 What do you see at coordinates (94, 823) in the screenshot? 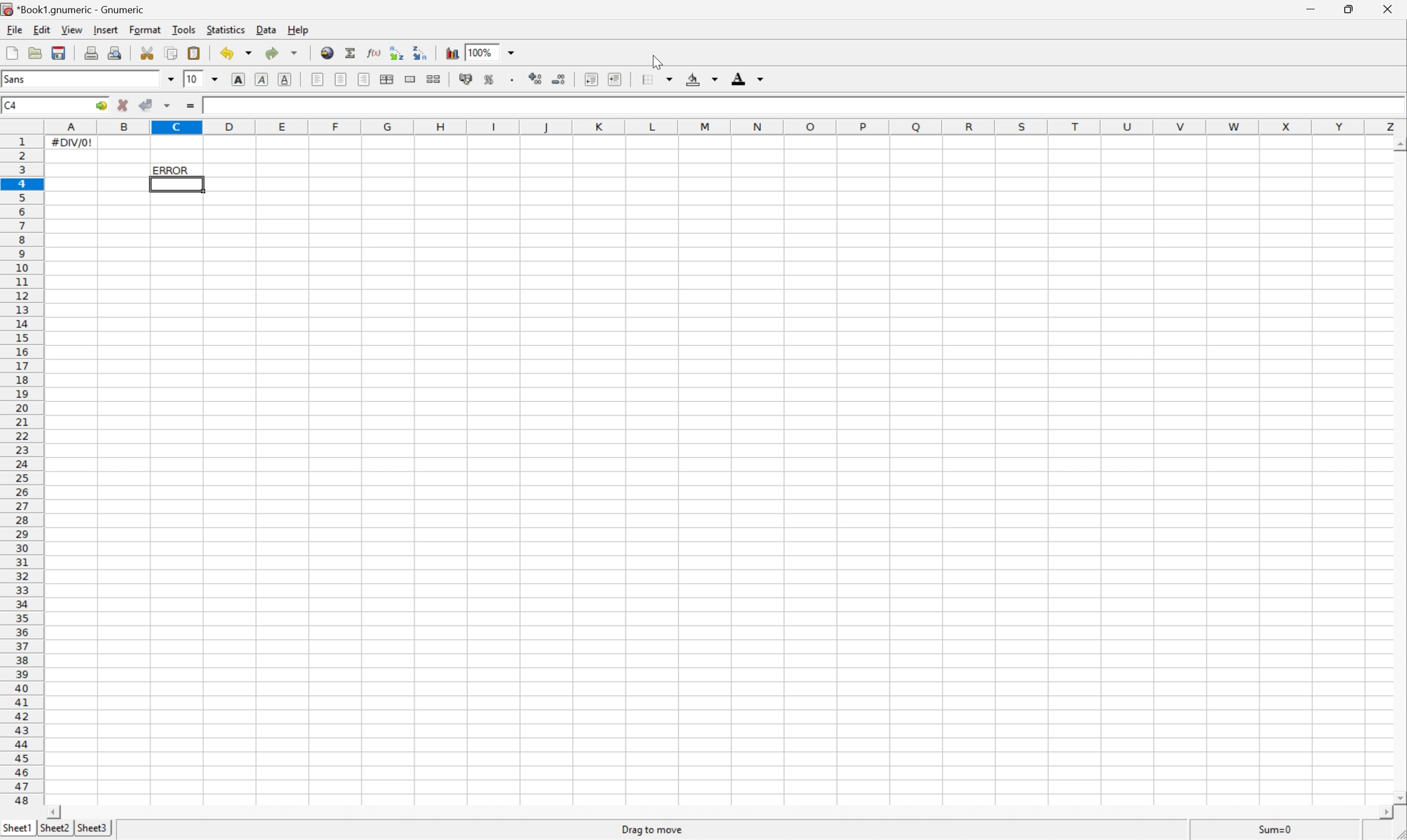
I see `Sheet3` at bounding box center [94, 823].